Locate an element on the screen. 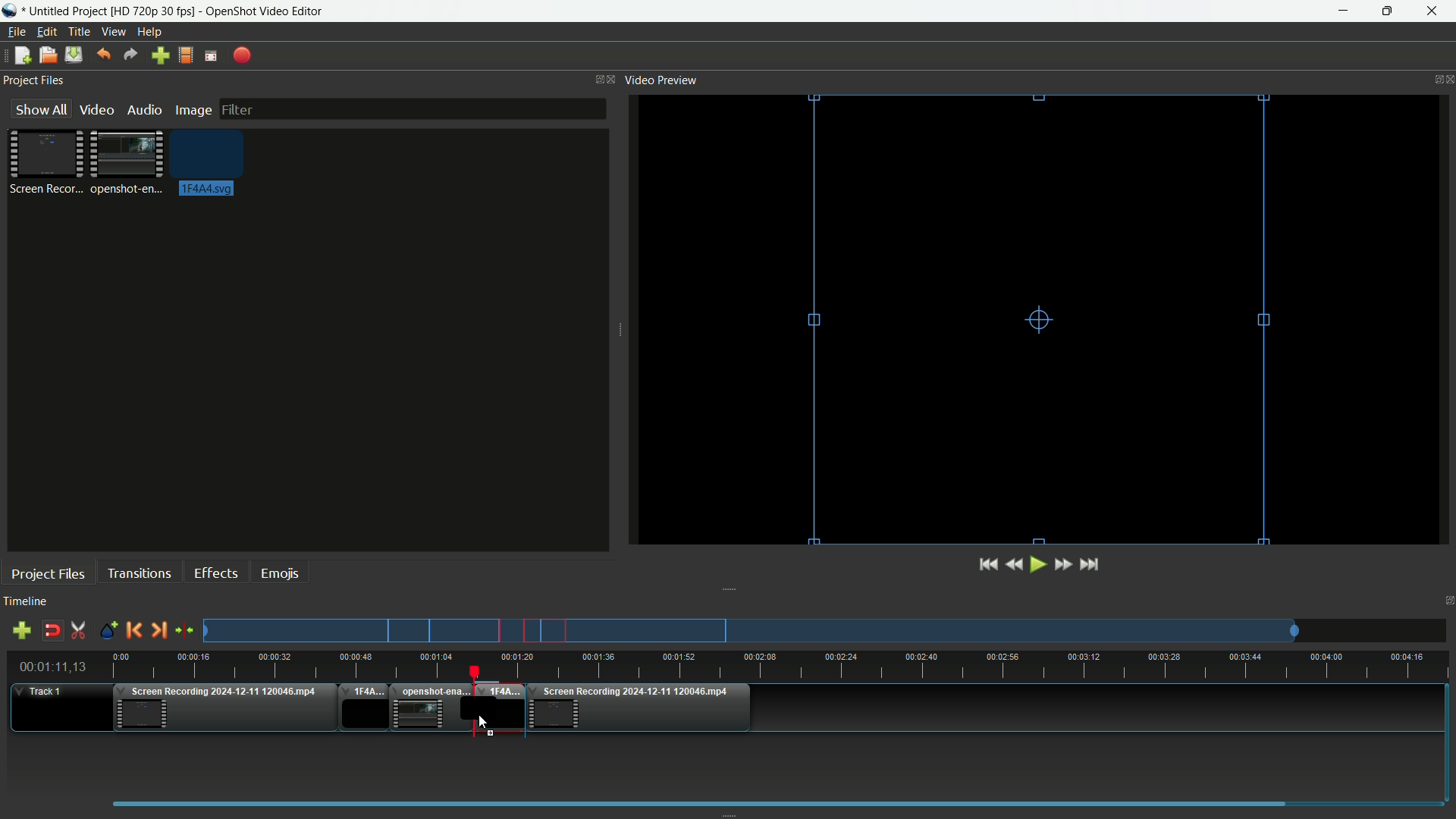 Image resolution: width=1456 pixels, height=819 pixels. Video preview is located at coordinates (661, 79).